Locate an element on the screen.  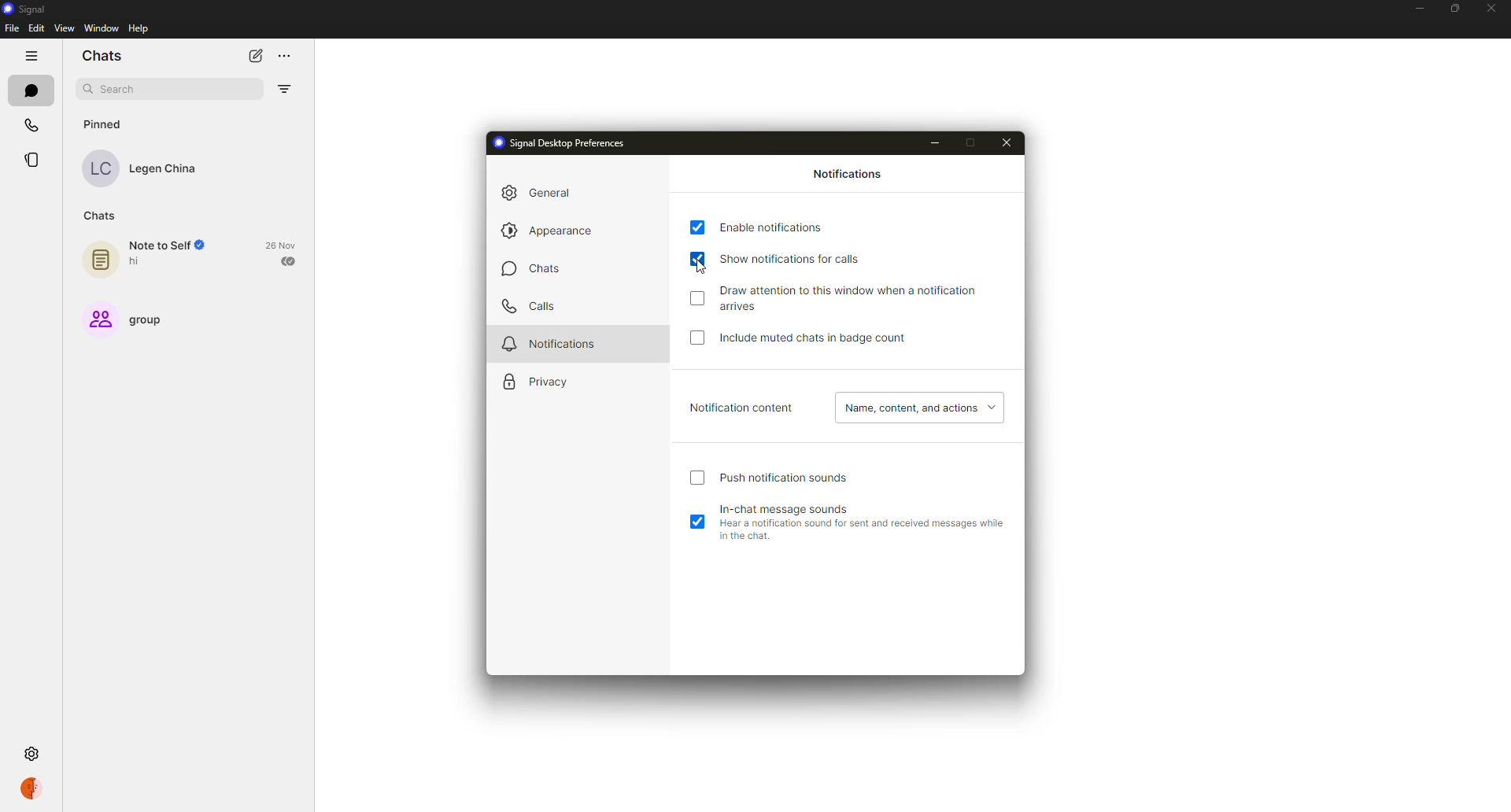
date is located at coordinates (283, 245).